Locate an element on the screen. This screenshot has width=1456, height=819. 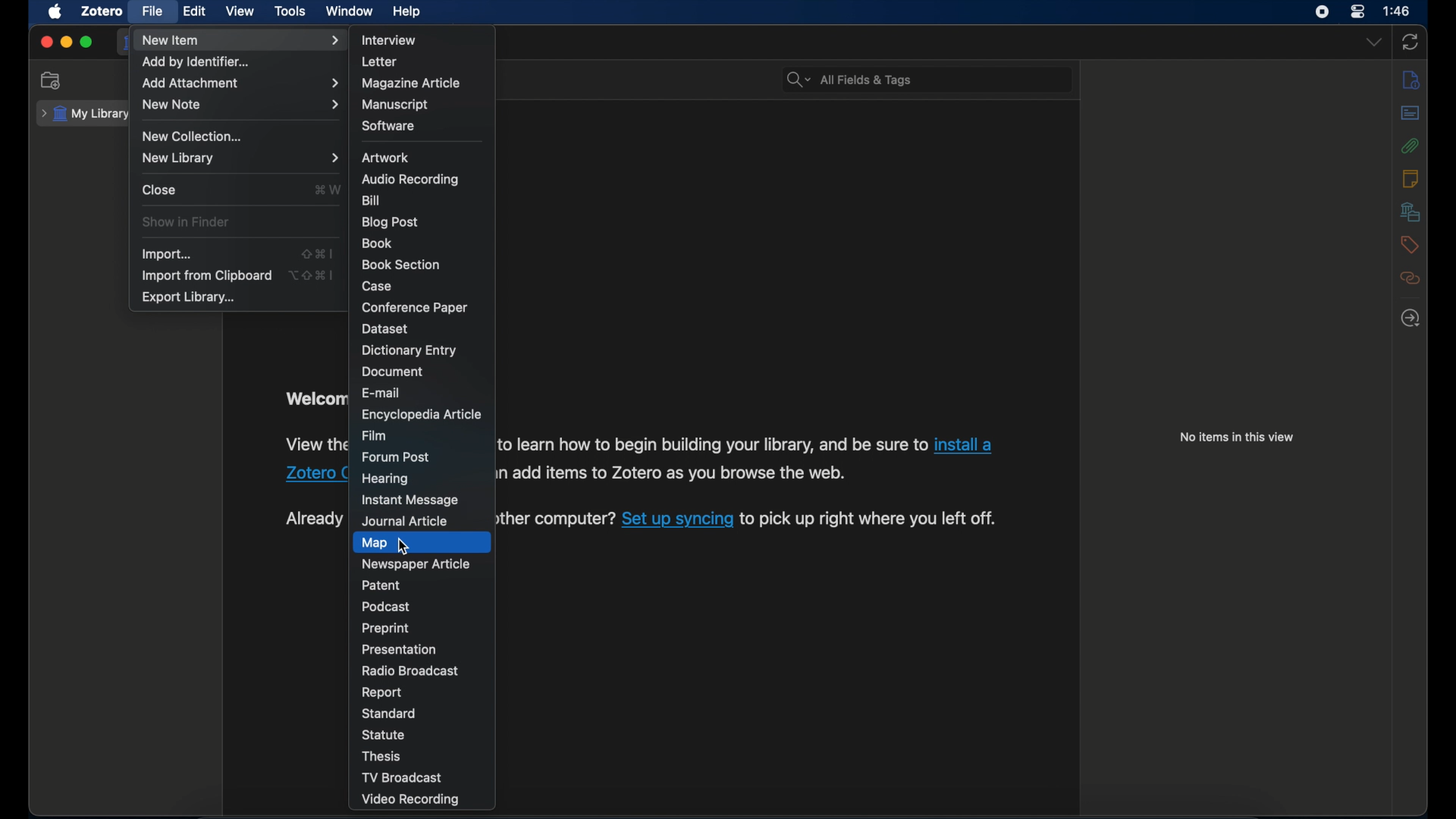
interview is located at coordinates (390, 40).